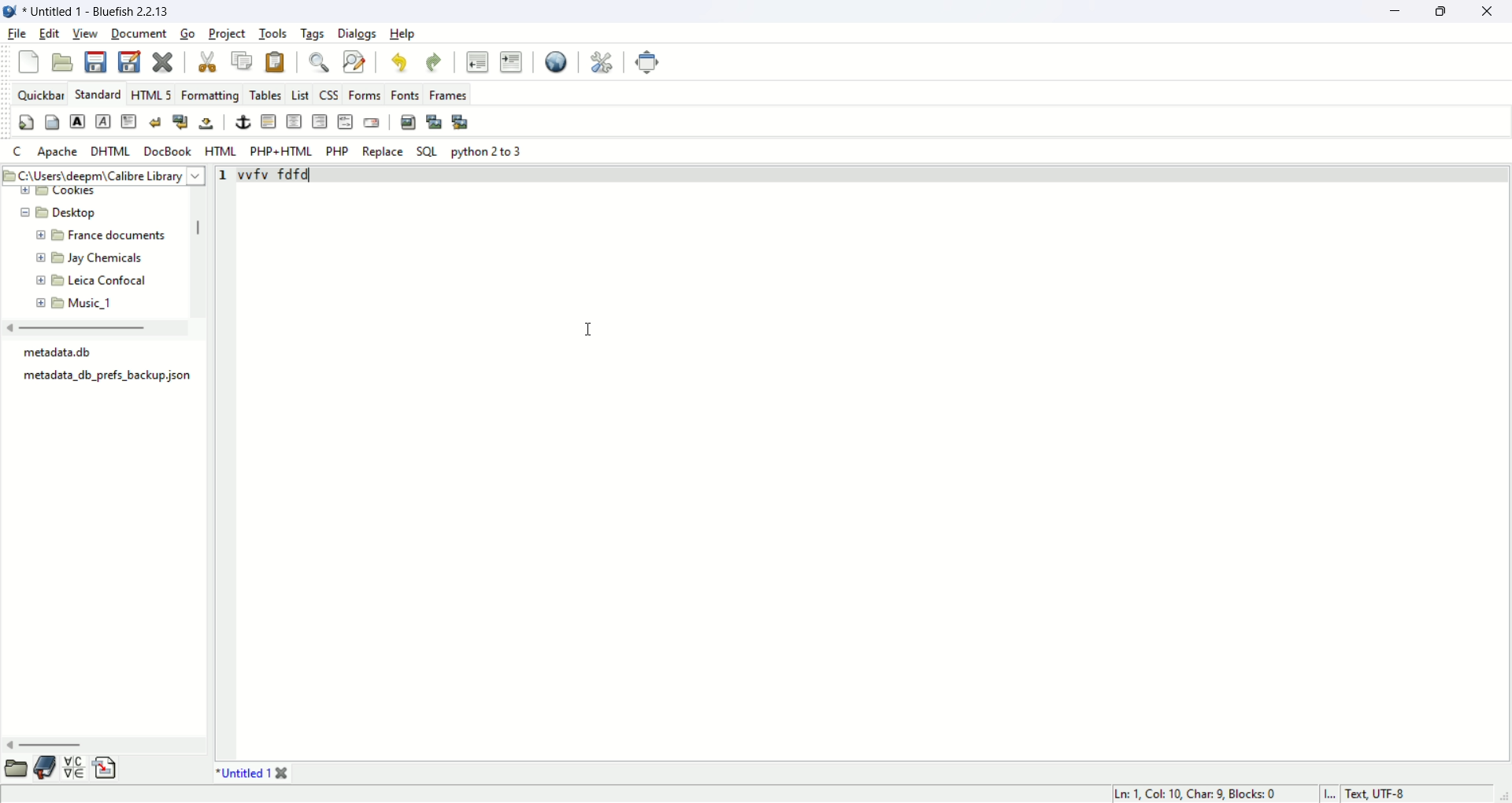 Image resolution: width=1512 pixels, height=803 pixels. What do you see at coordinates (282, 152) in the screenshot?
I see `PHP+HTML` at bounding box center [282, 152].